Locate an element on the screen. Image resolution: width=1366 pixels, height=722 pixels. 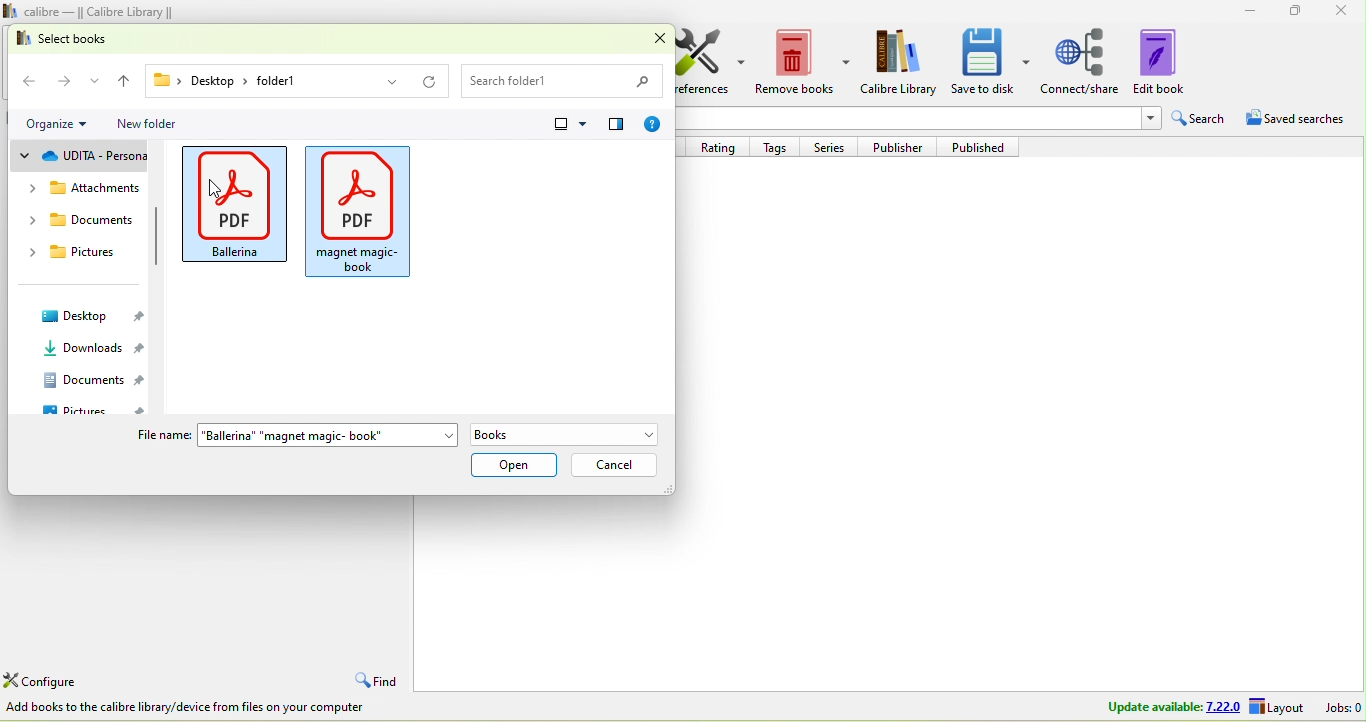
up to desktop is located at coordinates (123, 78).